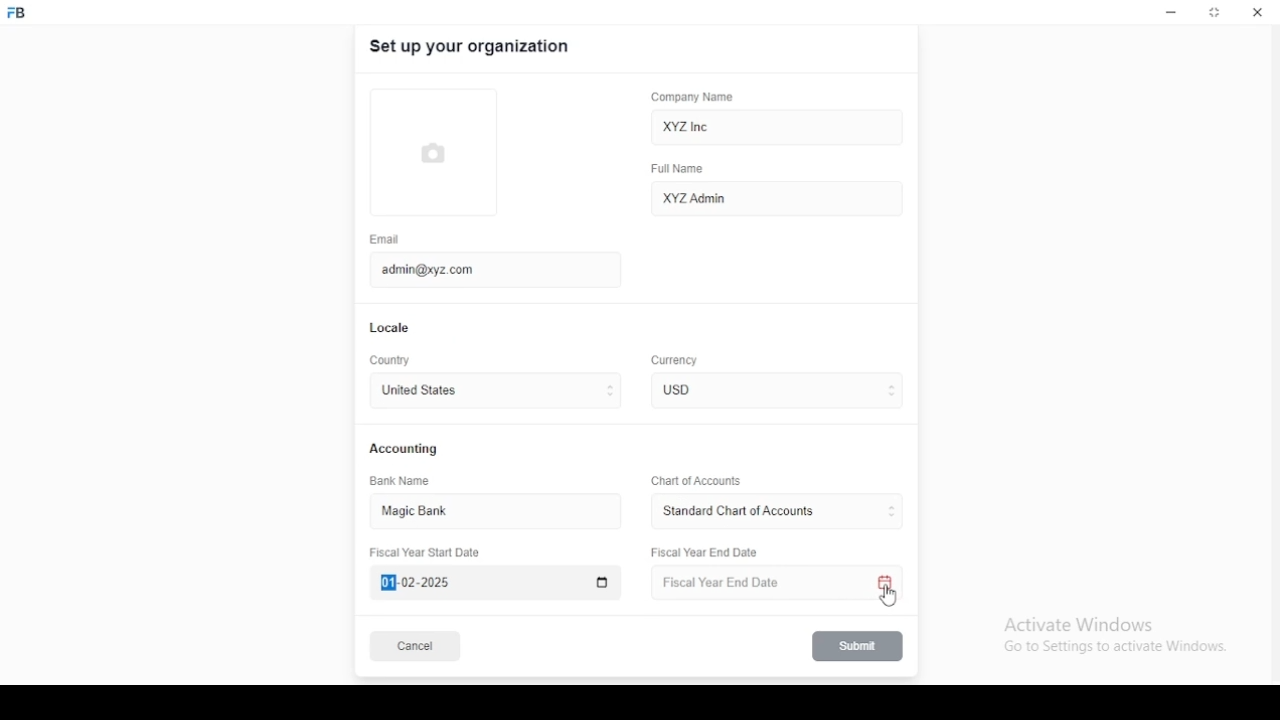 This screenshot has height=720, width=1280. What do you see at coordinates (737, 512) in the screenshot?
I see `L ‘Standard Chart of Accounts` at bounding box center [737, 512].